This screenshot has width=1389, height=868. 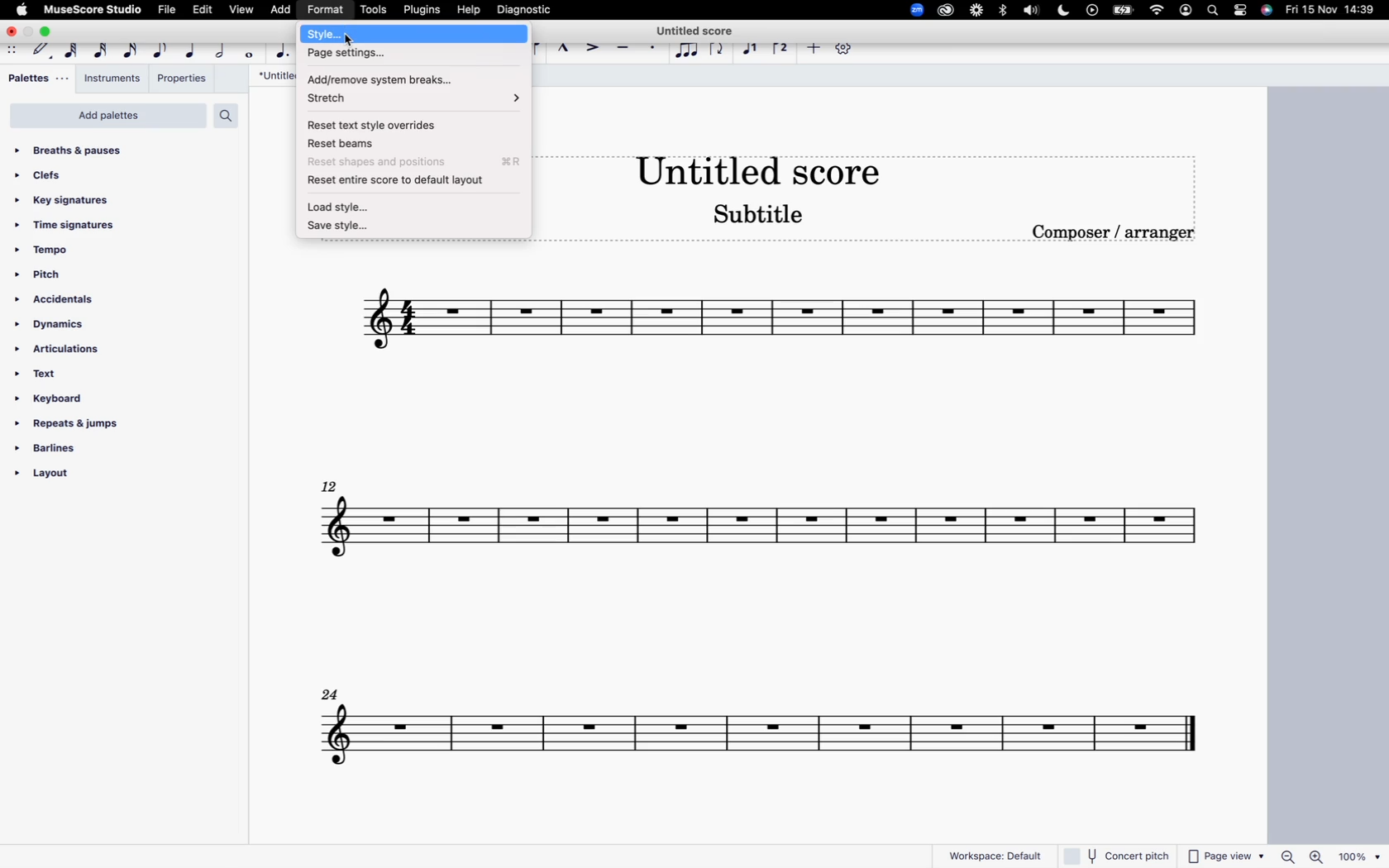 I want to click on eighth note, so click(x=161, y=50).